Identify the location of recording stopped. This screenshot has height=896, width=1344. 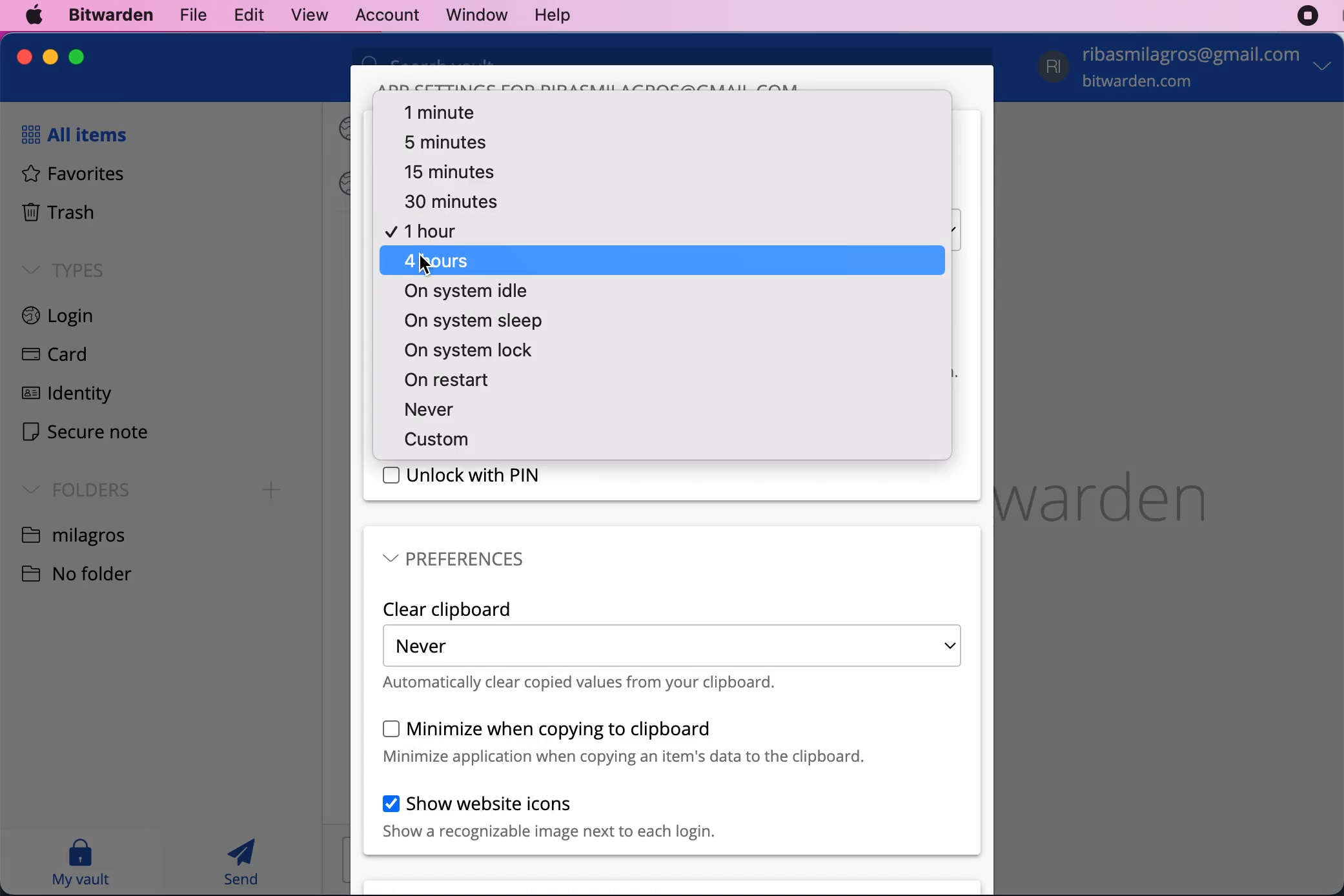
(1308, 16).